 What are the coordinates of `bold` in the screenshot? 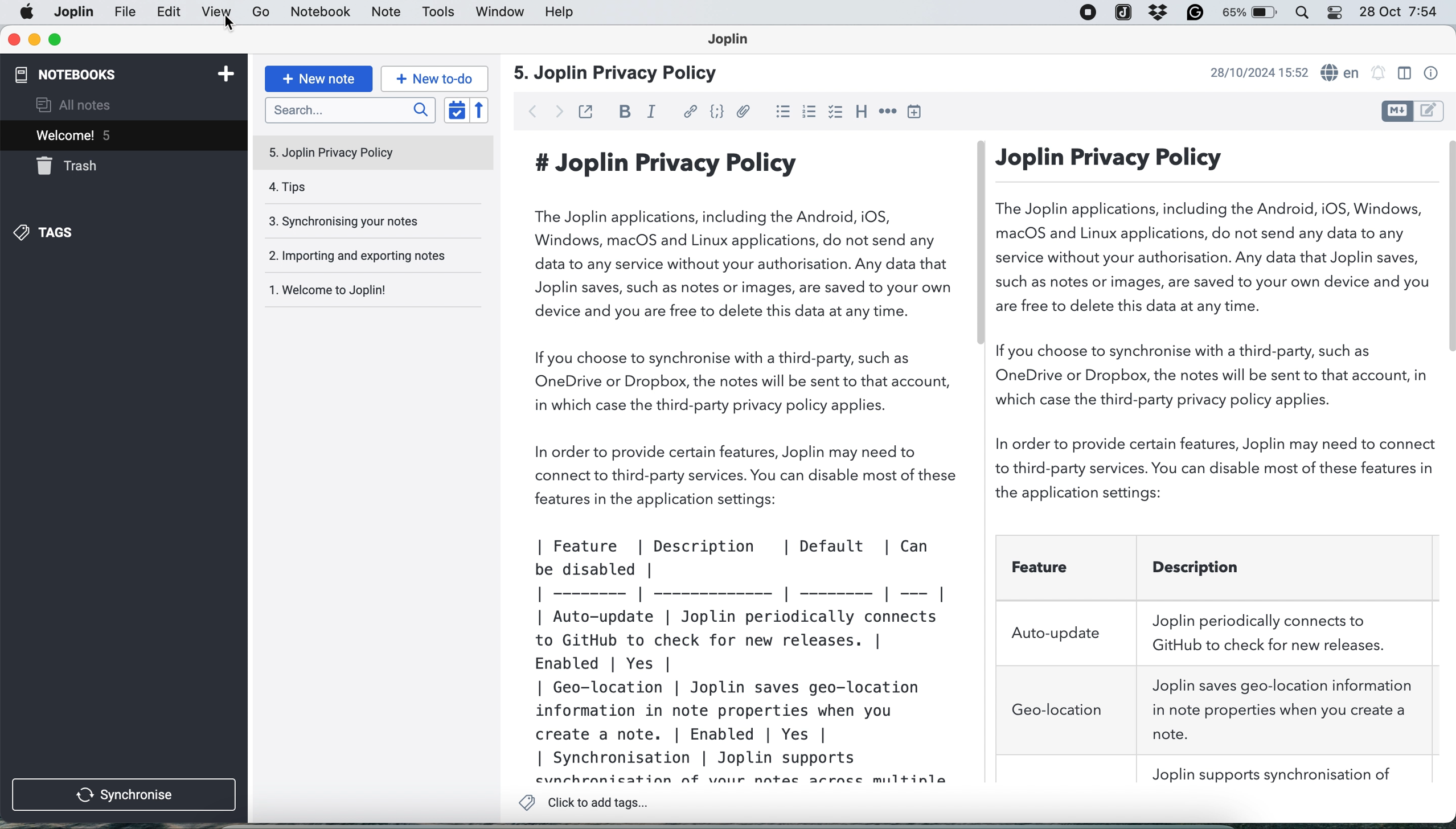 It's located at (620, 110).